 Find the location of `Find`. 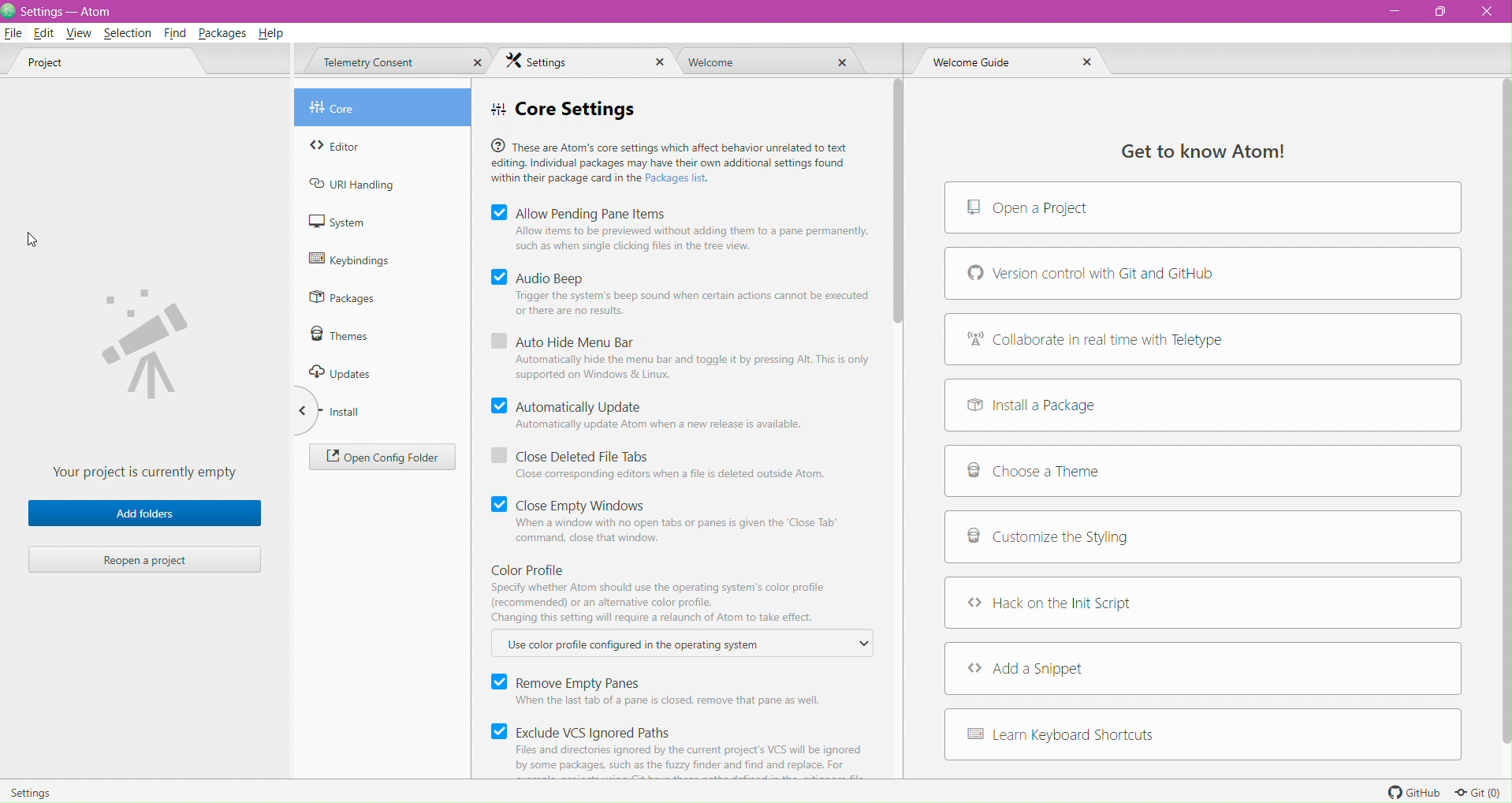

Find is located at coordinates (173, 33).